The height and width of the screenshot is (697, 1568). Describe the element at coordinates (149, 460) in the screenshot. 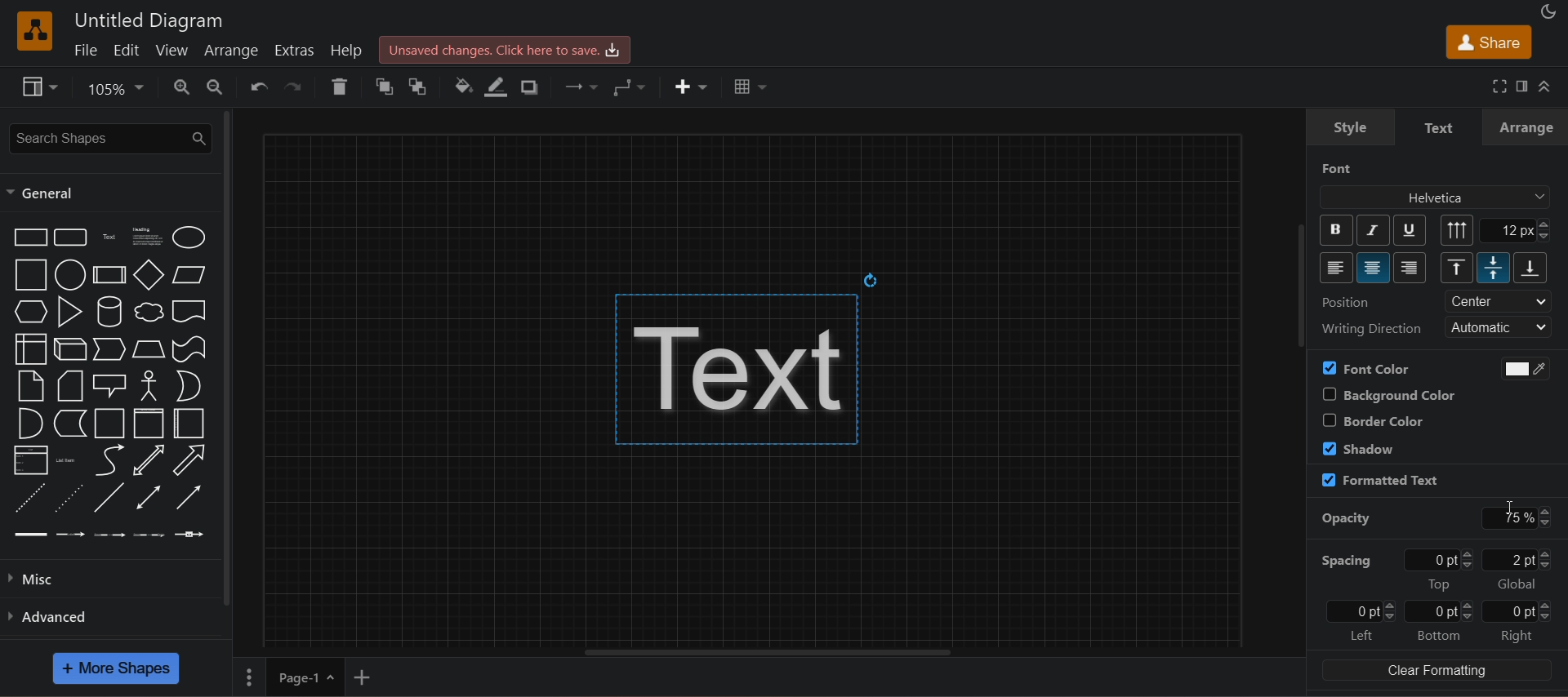

I see `bidirectional arrow` at that location.